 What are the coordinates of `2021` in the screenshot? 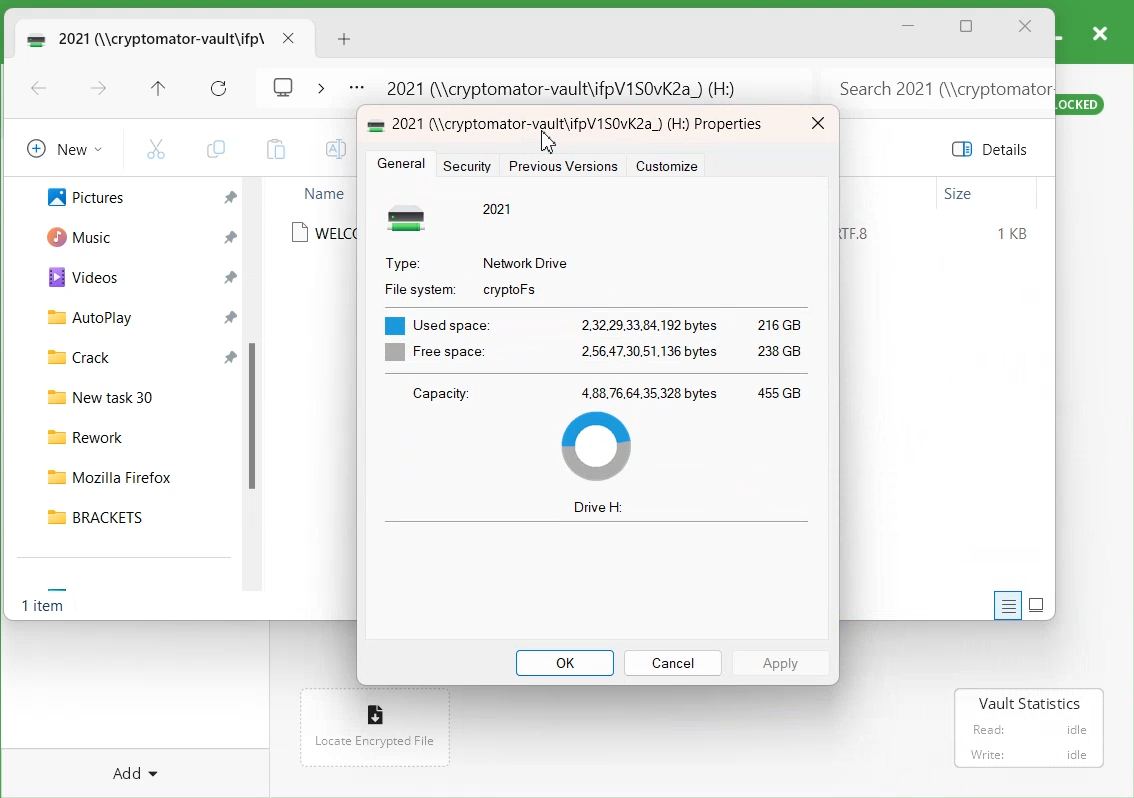 It's located at (499, 208).